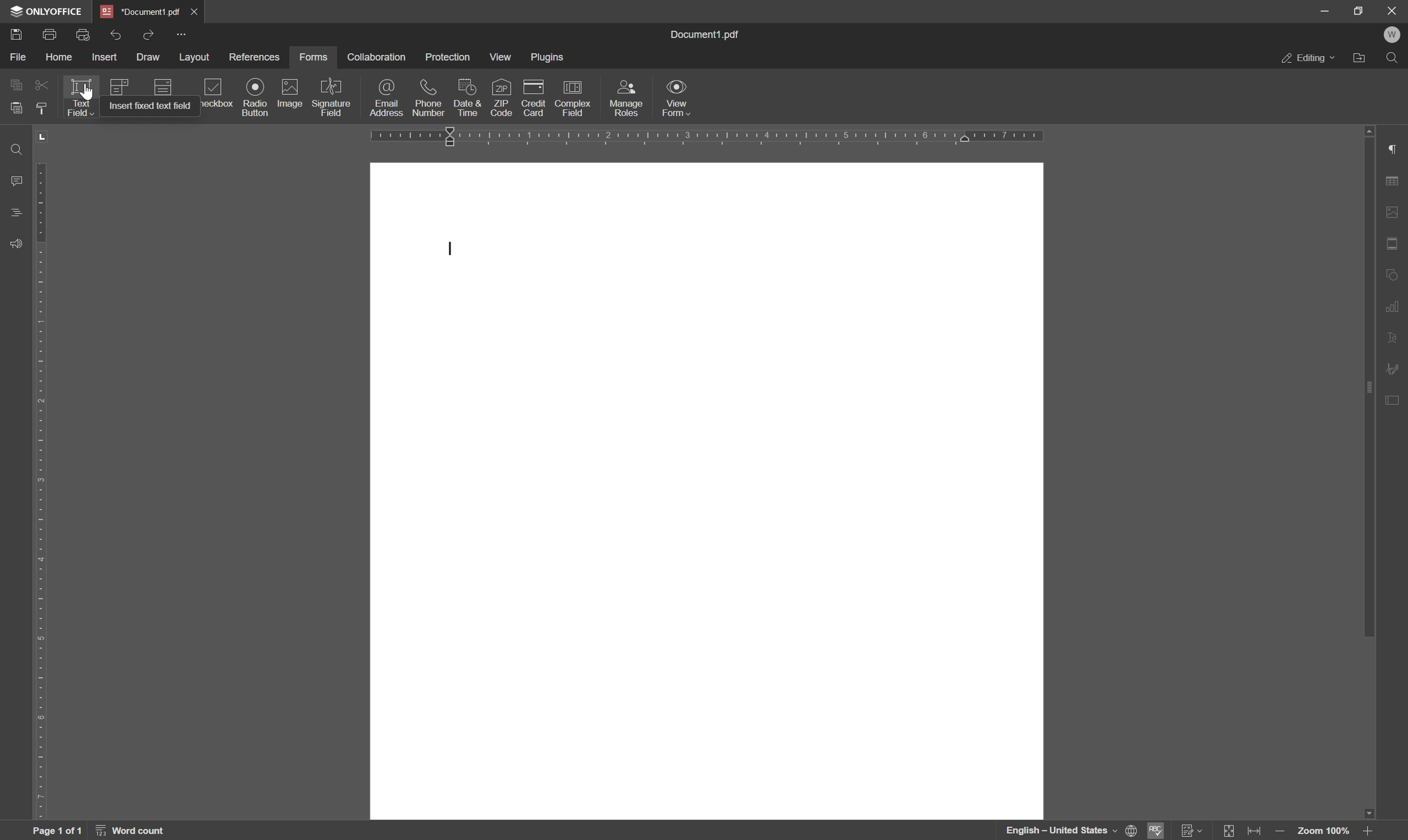  Describe the element at coordinates (60, 59) in the screenshot. I see `home` at that location.